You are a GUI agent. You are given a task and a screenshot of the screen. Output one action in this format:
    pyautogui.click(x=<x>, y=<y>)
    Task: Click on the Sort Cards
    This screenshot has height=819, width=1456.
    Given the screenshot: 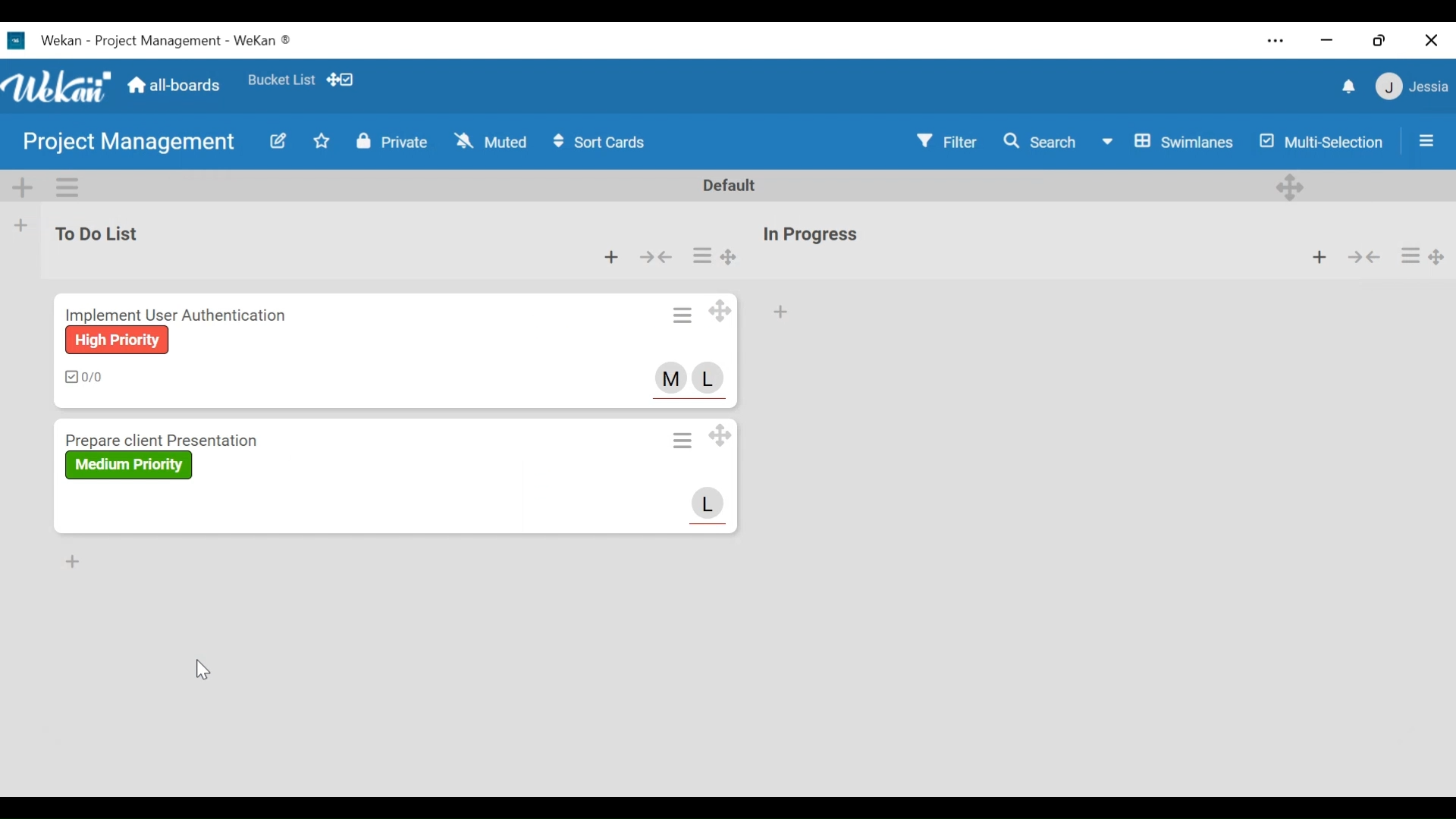 What is the action you would take?
    pyautogui.click(x=600, y=142)
    